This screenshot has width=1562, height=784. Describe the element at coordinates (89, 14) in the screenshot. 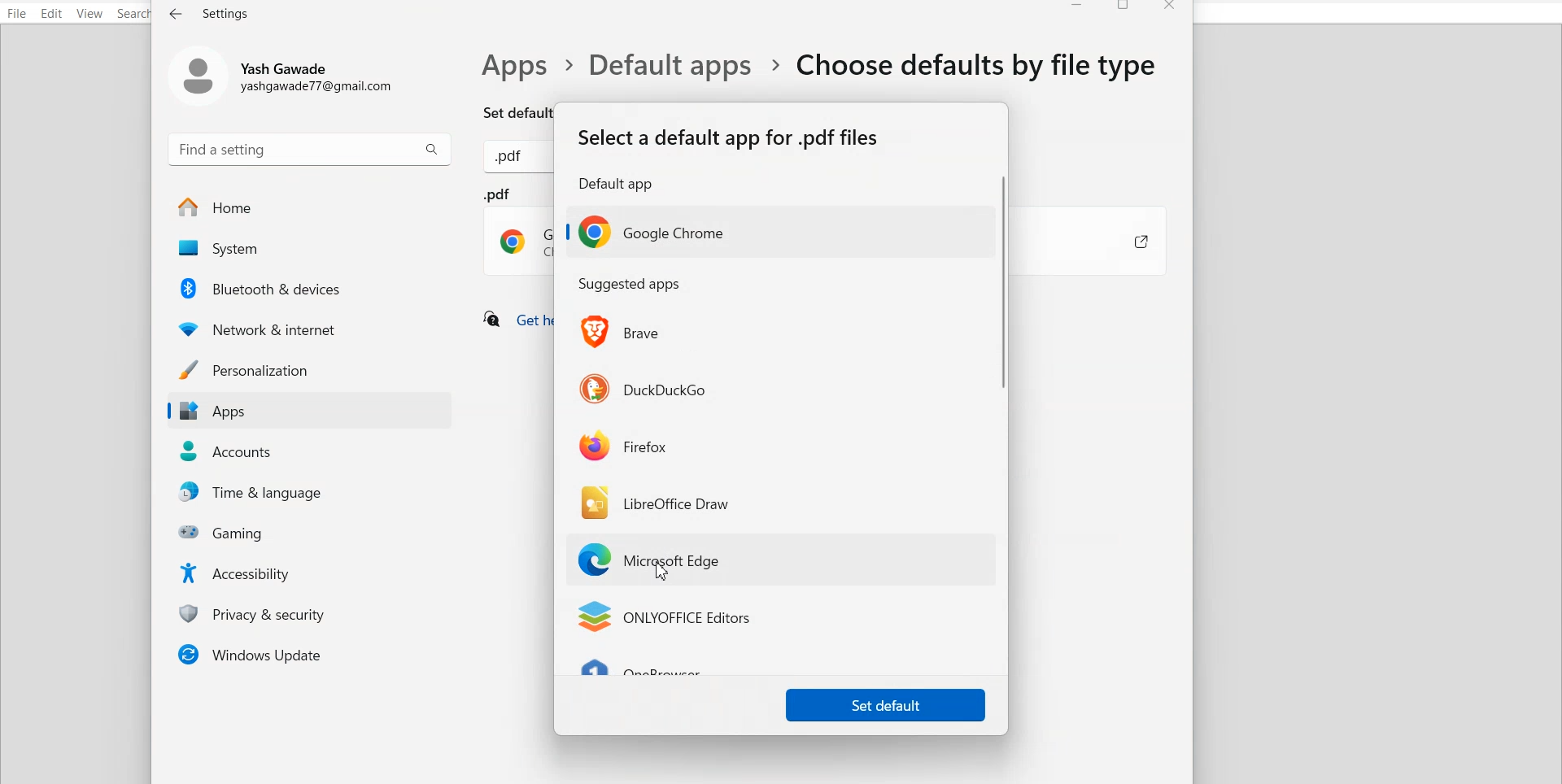

I see `View` at that location.